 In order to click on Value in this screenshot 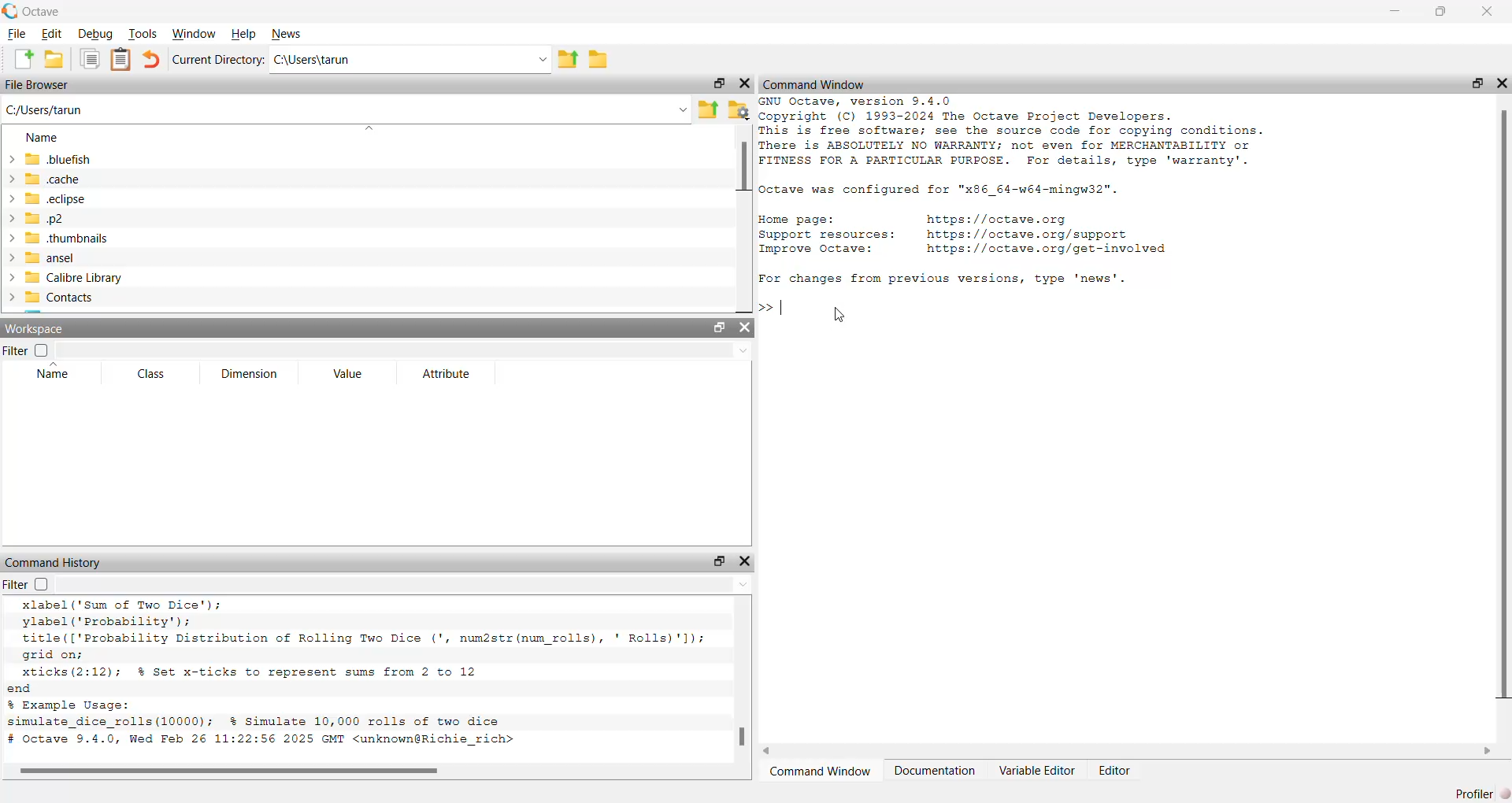, I will do `click(348, 374)`.